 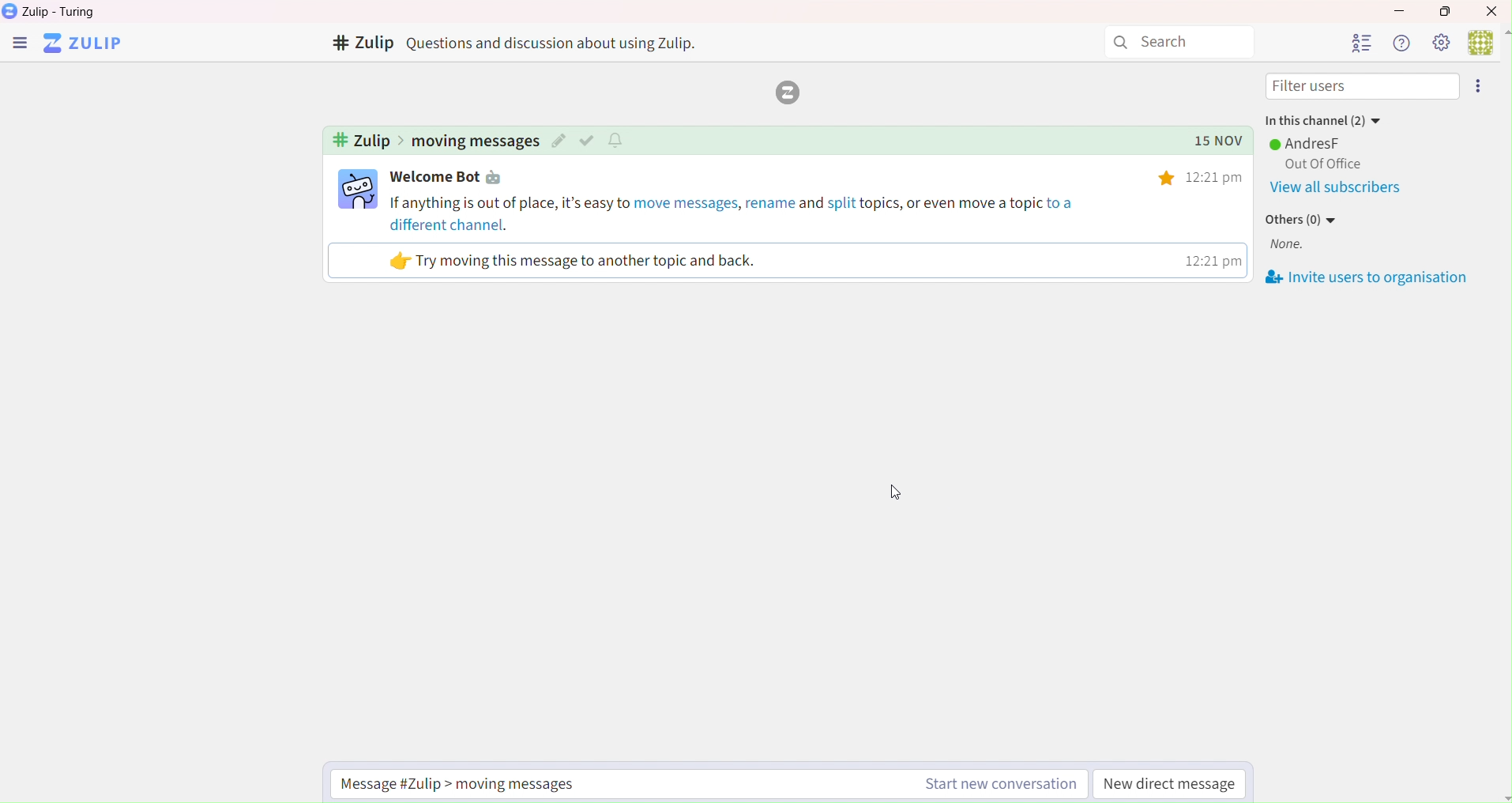 What do you see at coordinates (1488, 41) in the screenshot?
I see `User` at bounding box center [1488, 41].